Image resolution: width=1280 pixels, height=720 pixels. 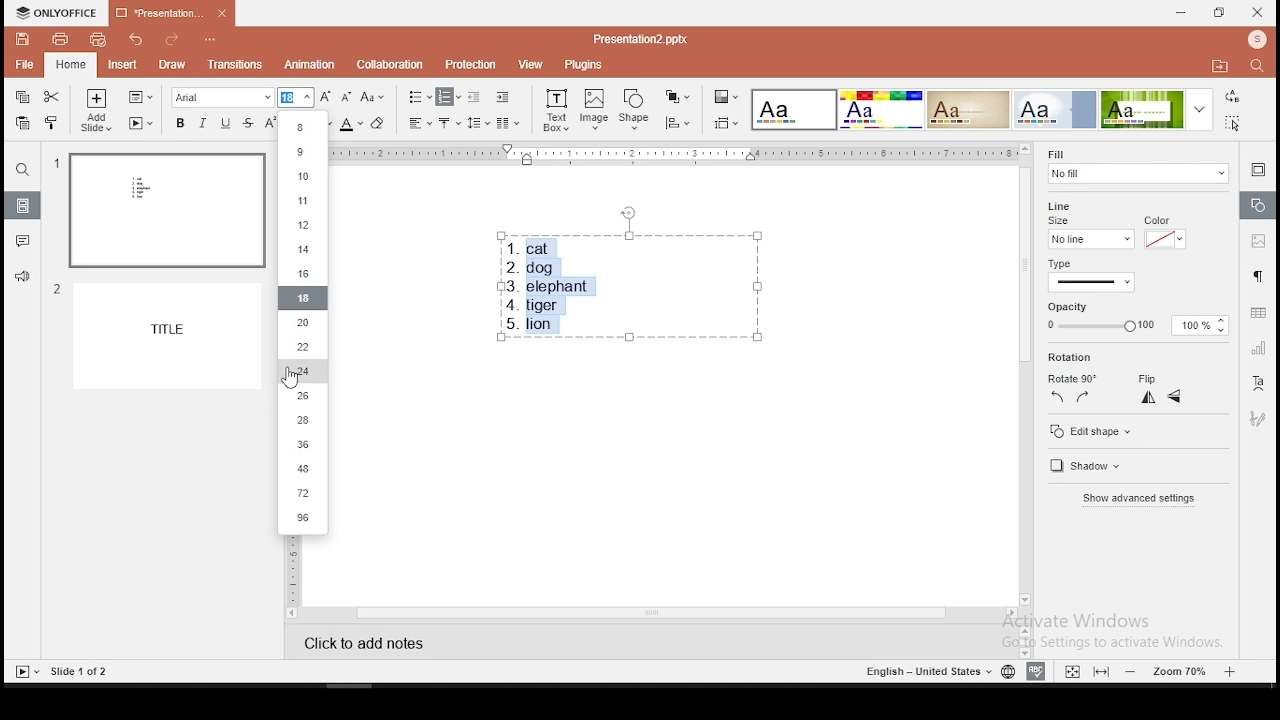 I want to click on find, so click(x=24, y=172).